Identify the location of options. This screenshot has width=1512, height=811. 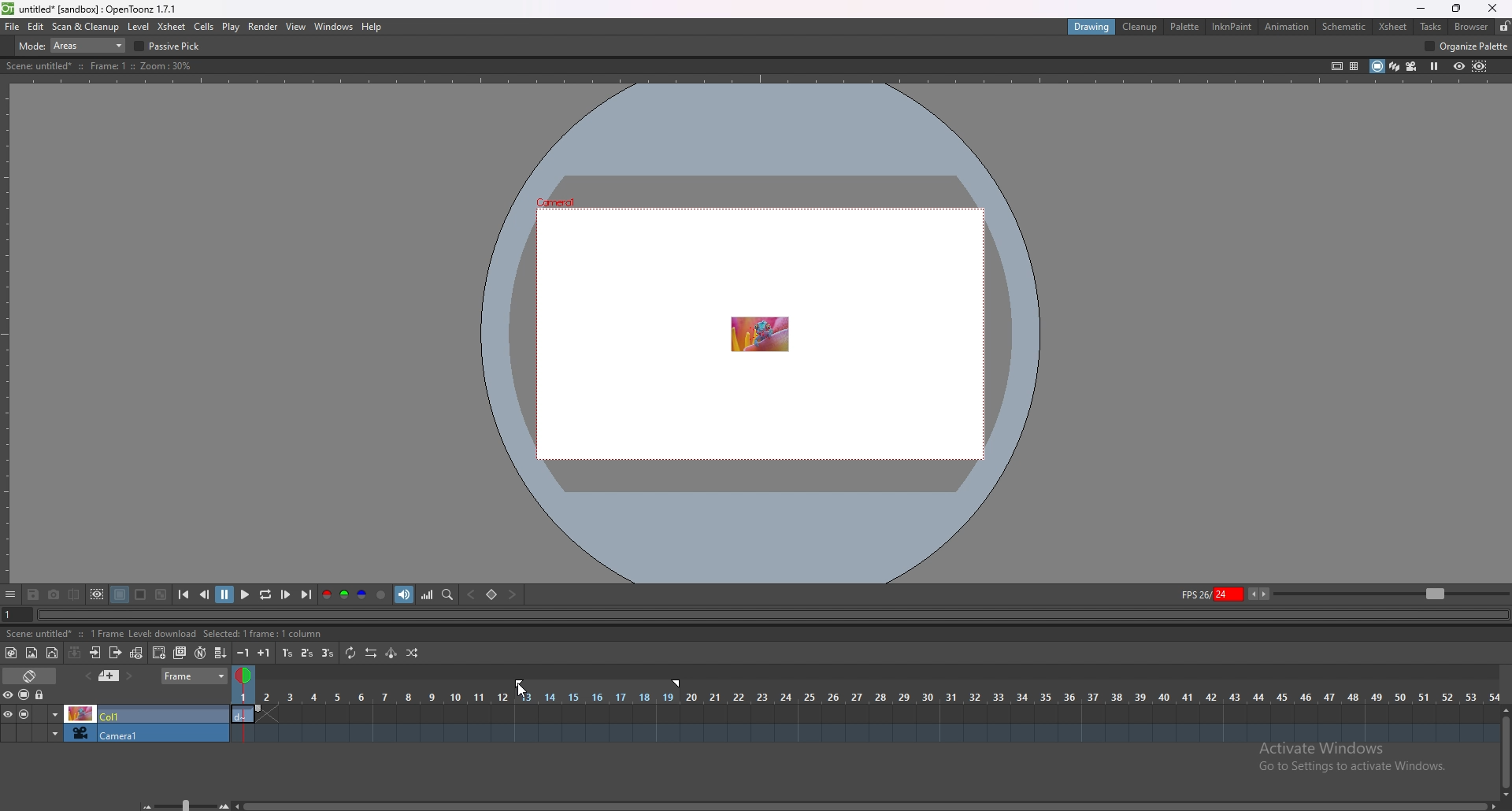
(11, 595).